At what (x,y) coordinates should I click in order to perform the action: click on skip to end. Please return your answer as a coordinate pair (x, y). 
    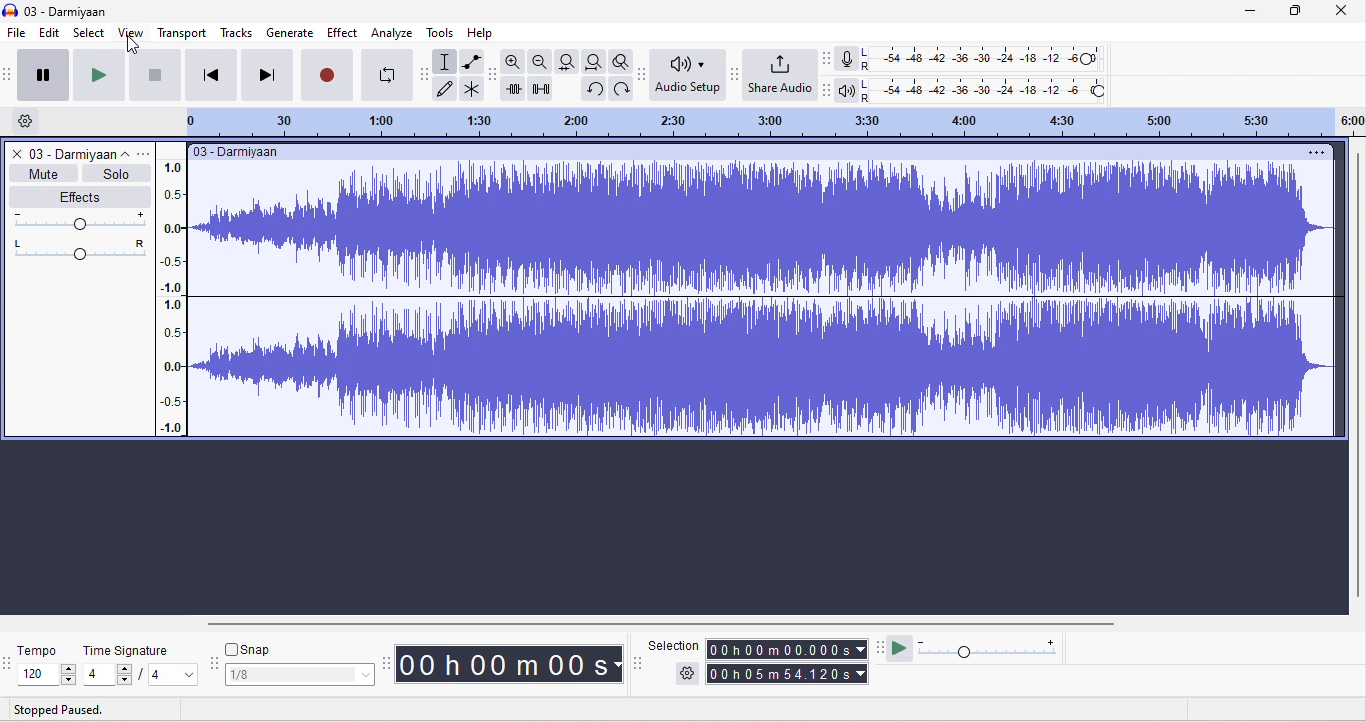
    Looking at the image, I should click on (267, 74).